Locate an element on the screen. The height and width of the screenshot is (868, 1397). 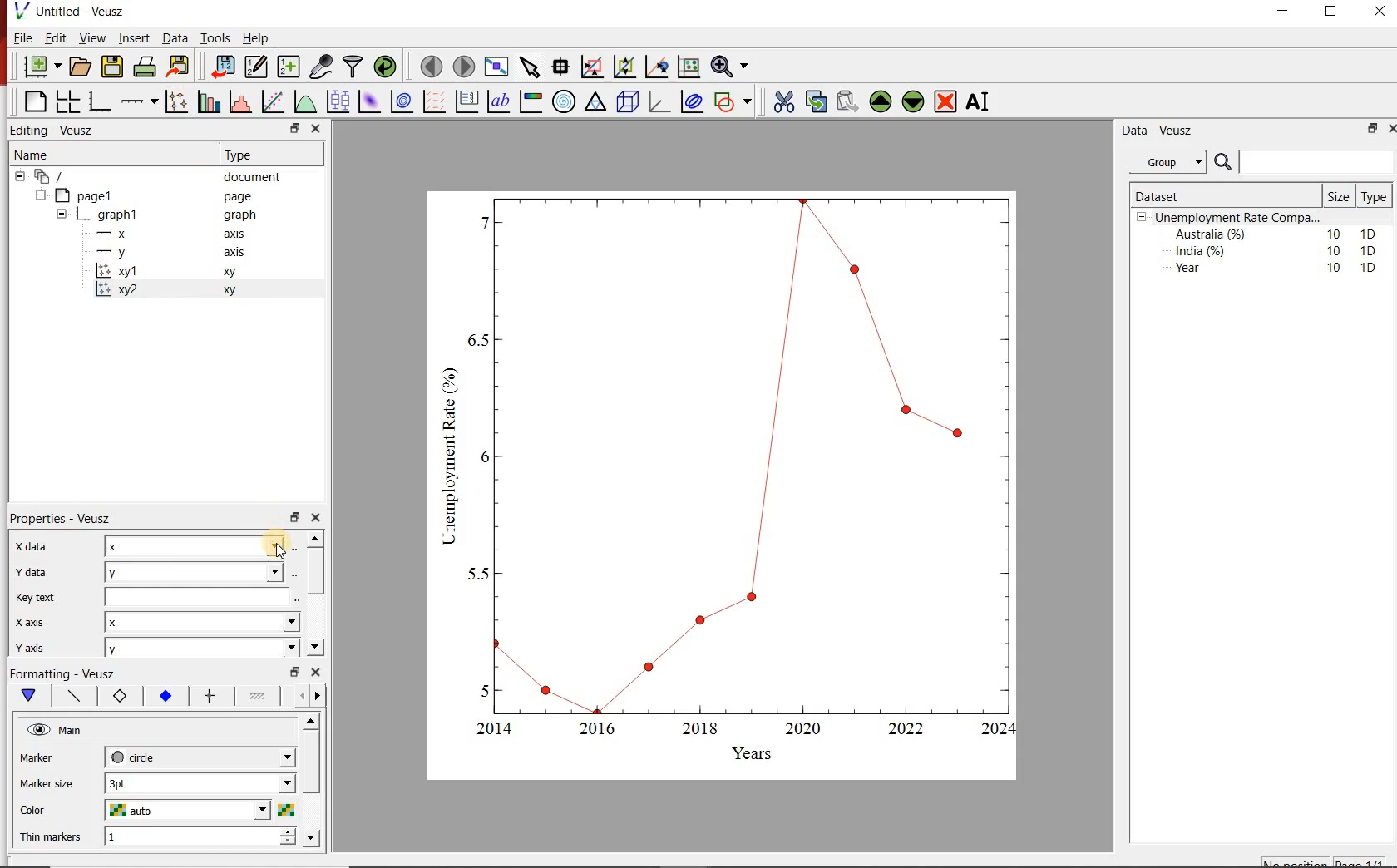
scroll bar is located at coordinates (312, 776).